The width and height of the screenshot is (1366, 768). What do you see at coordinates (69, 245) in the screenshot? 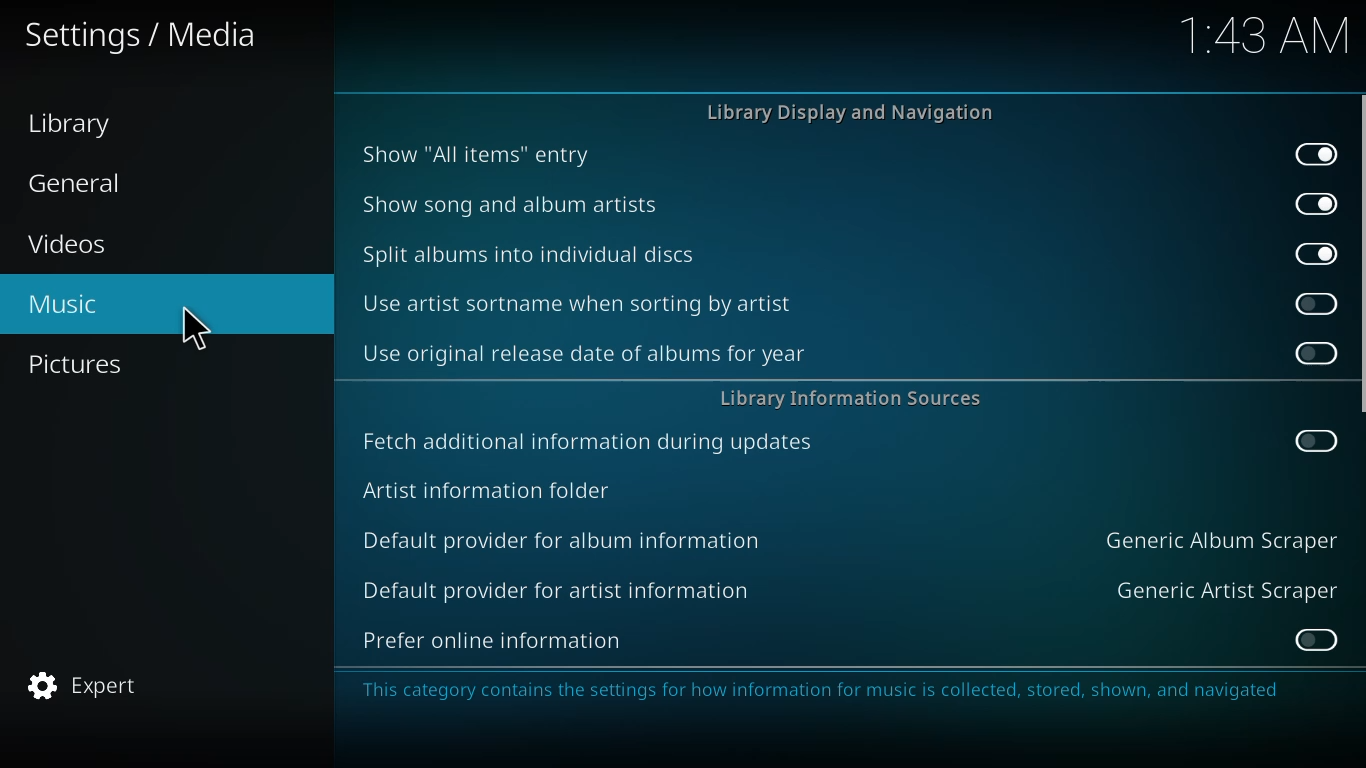
I see `videos` at bounding box center [69, 245].